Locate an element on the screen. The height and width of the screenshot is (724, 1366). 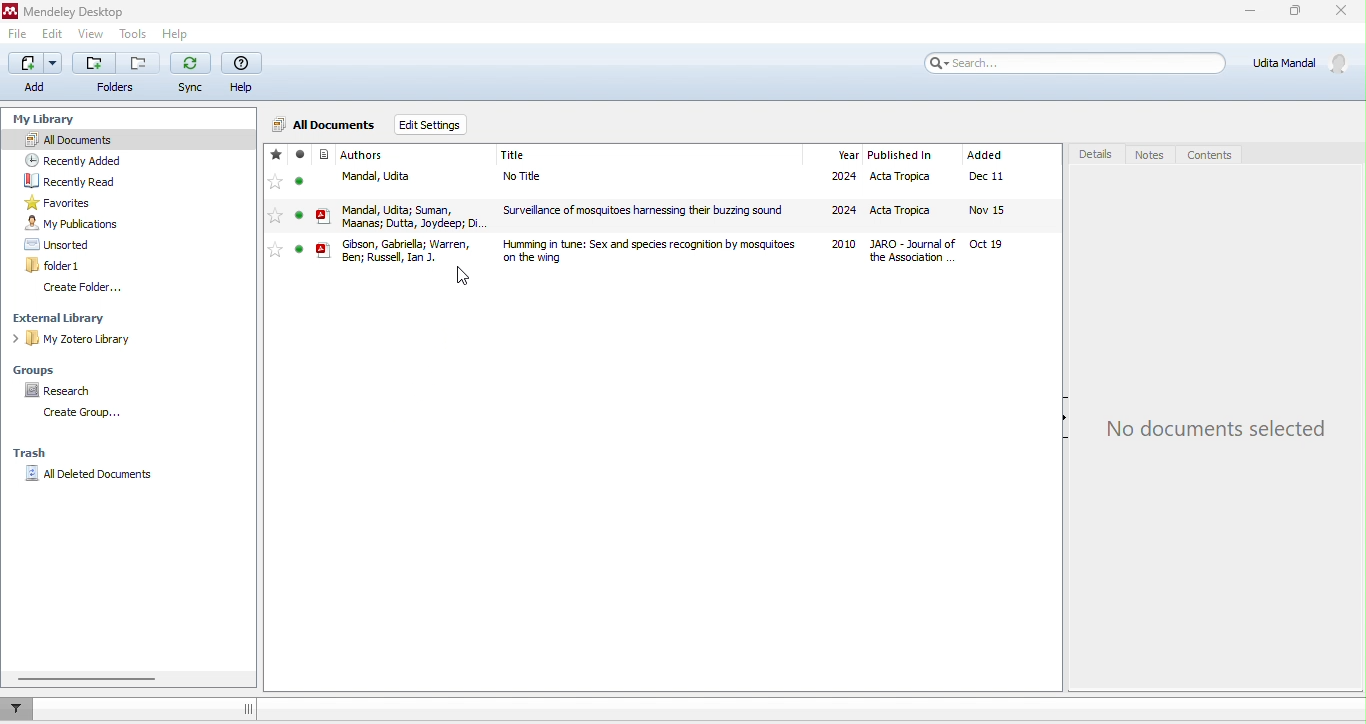
filter is located at coordinates (20, 708).